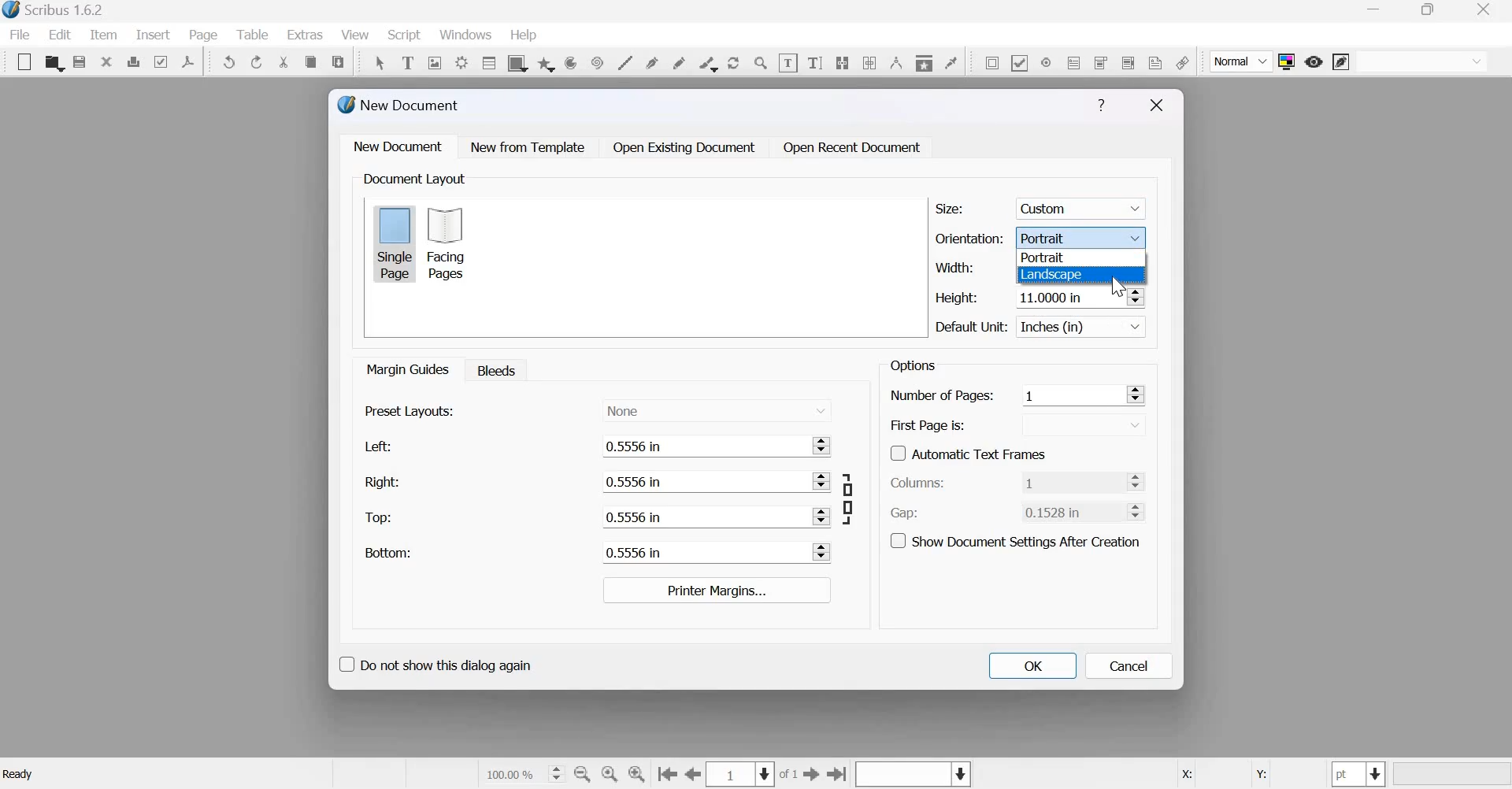  What do you see at coordinates (524, 35) in the screenshot?
I see `help` at bounding box center [524, 35].